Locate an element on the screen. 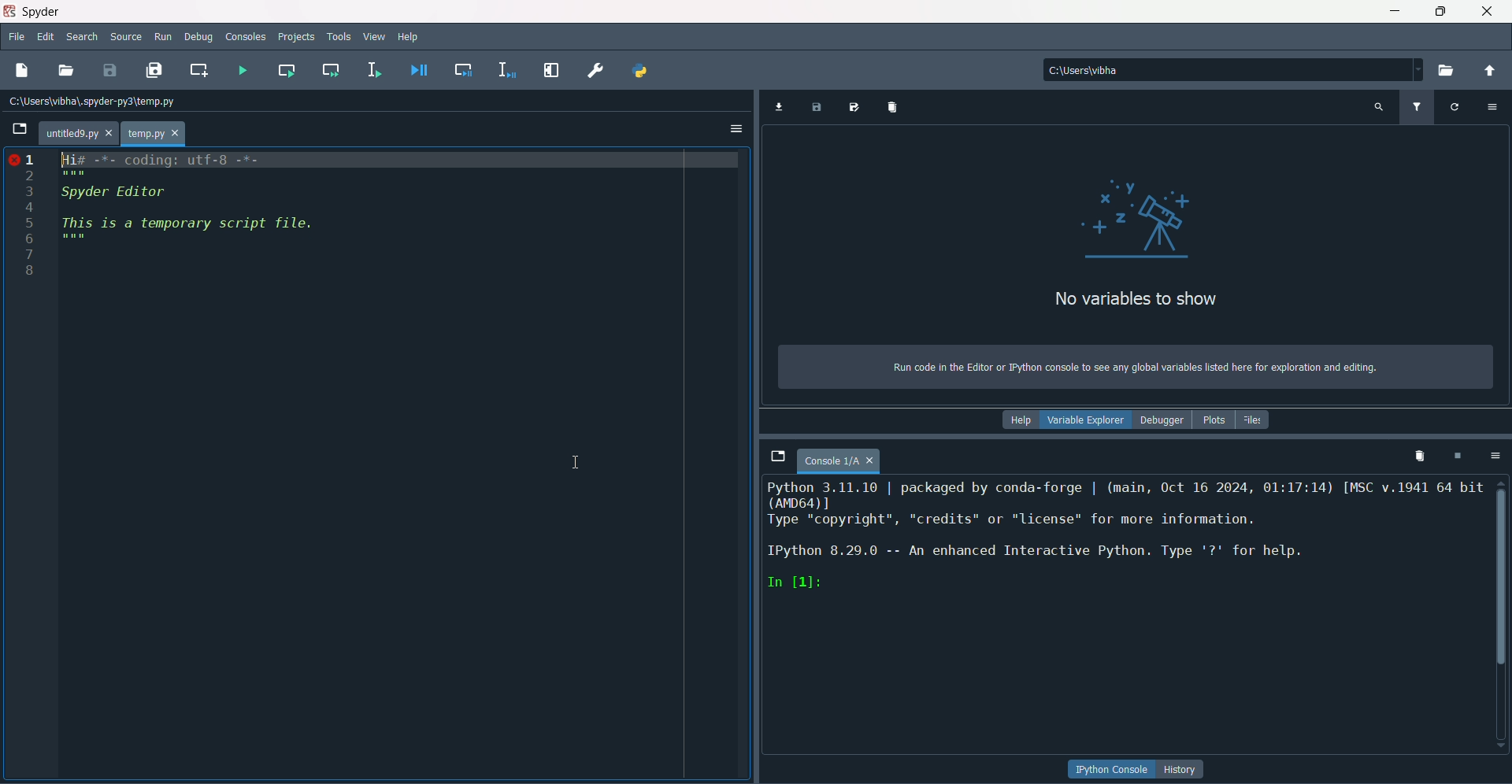 The height and width of the screenshot is (784, 1512). browse tabs is located at coordinates (778, 456).